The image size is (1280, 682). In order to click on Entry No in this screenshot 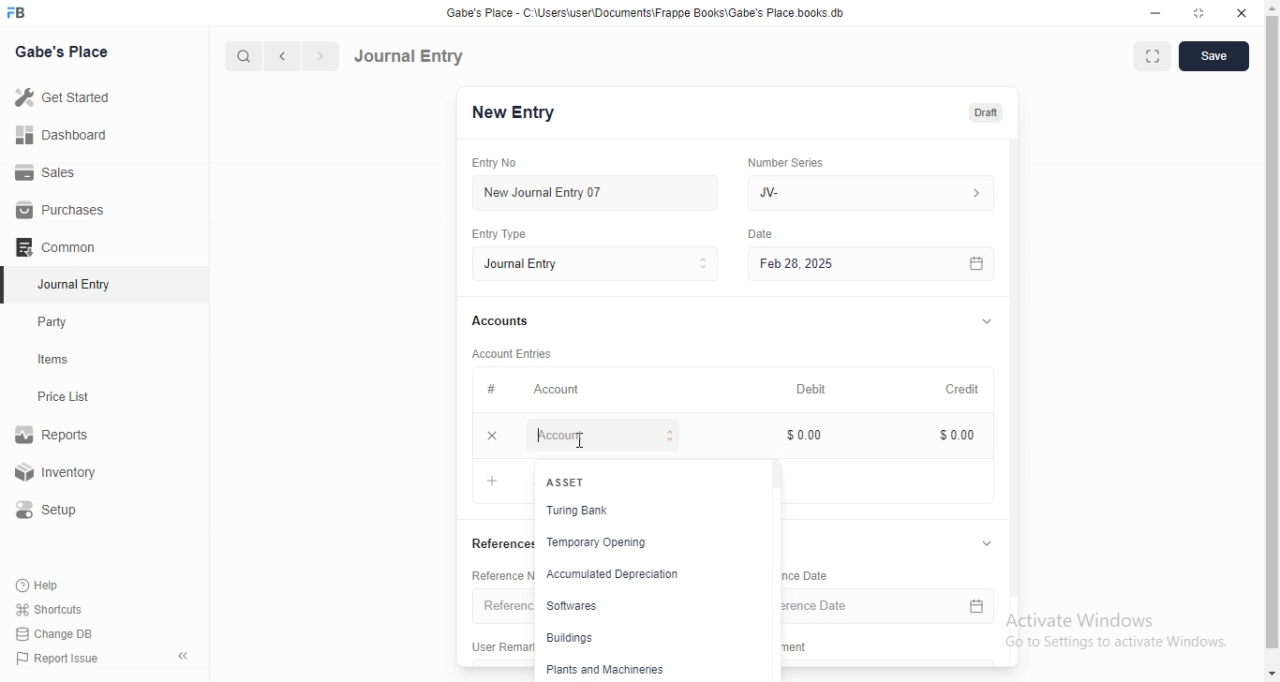, I will do `click(505, 163)`.